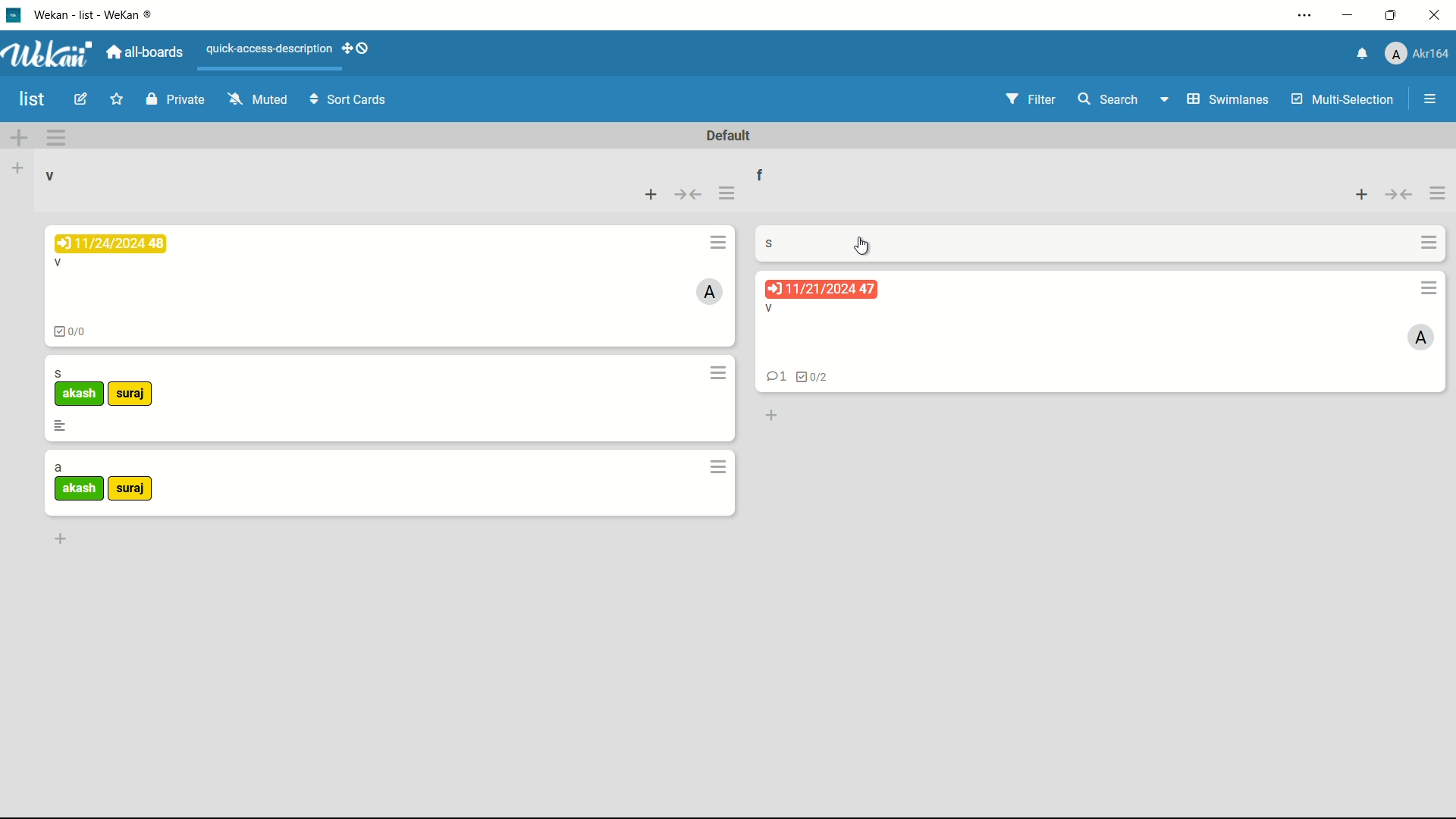 The width and height of the screenshot is (1456, 819). Describe the element at coordinates (350, 101) in the screenshot. I see `sort cards` at that location.